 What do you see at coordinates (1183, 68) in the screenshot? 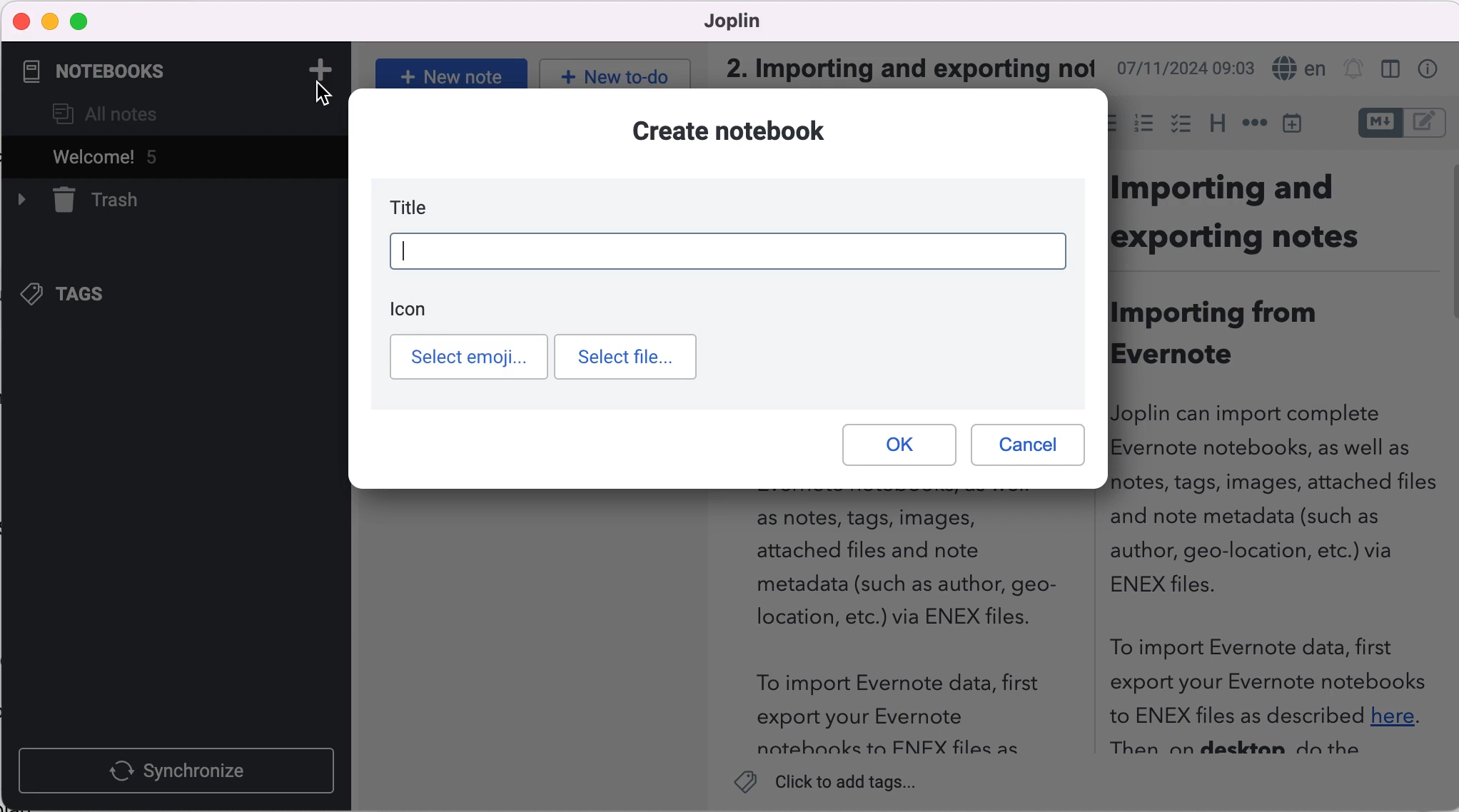
I see `07/11/2024 09:03` at bounding box center [1183, 68].